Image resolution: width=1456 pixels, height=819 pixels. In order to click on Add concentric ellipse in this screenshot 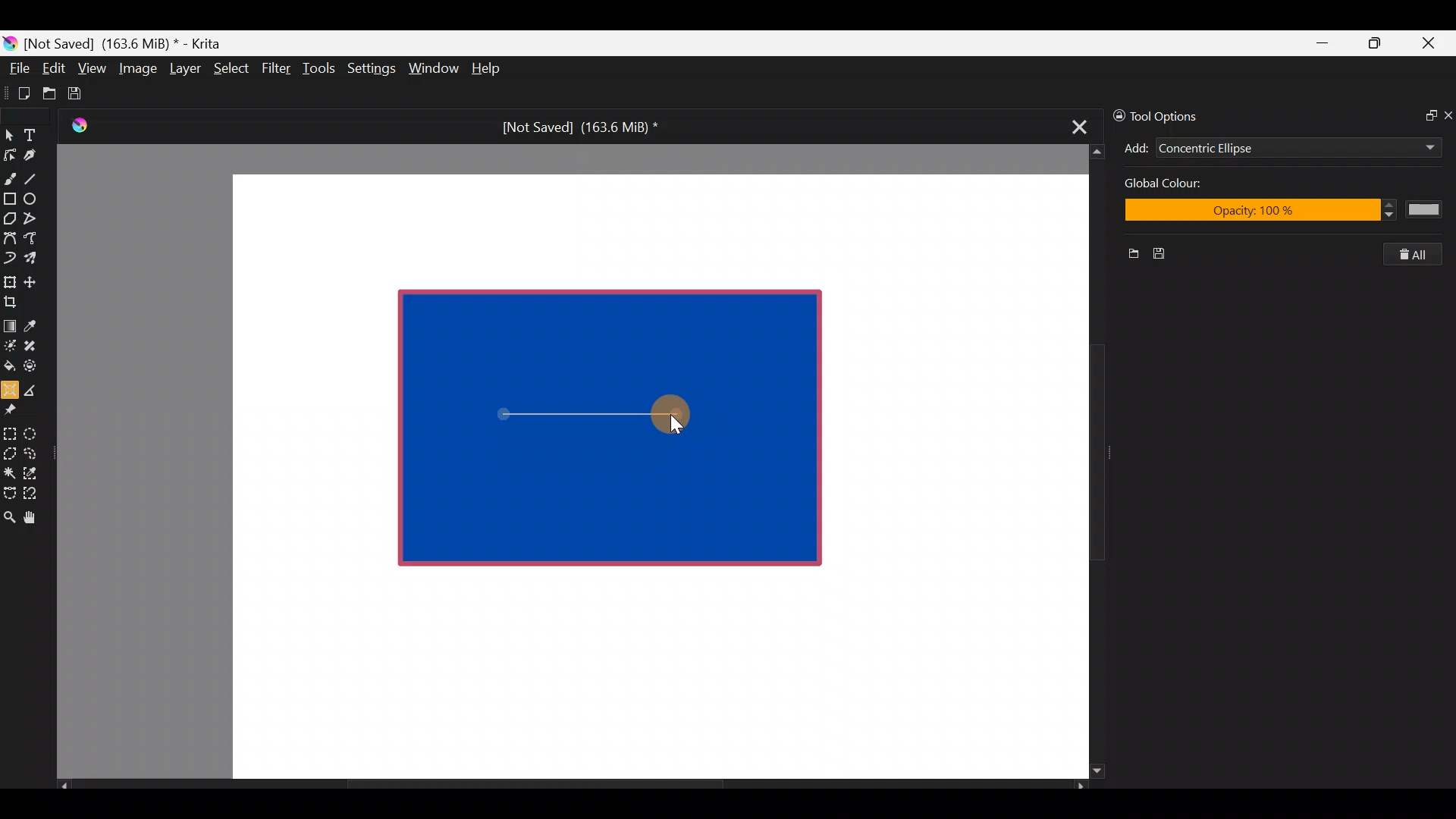, I will do `click(1134, 146)`.